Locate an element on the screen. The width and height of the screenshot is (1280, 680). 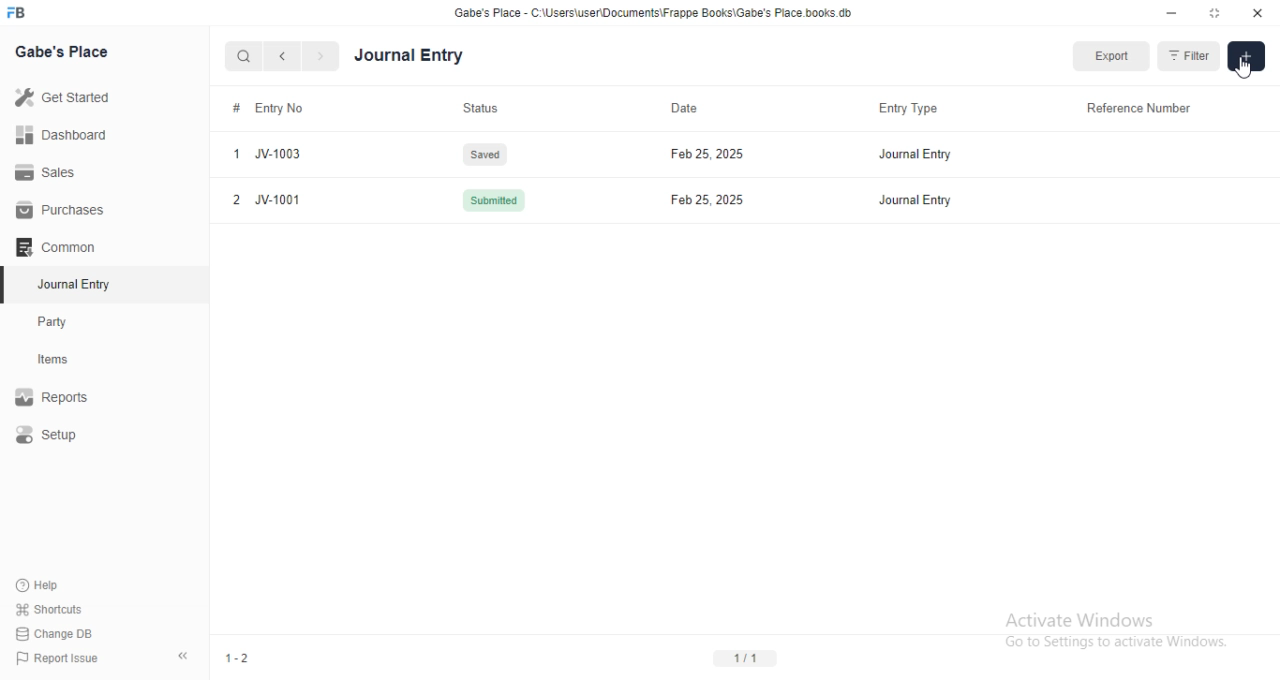
Reference Number is located at coordinates (1139, 108).